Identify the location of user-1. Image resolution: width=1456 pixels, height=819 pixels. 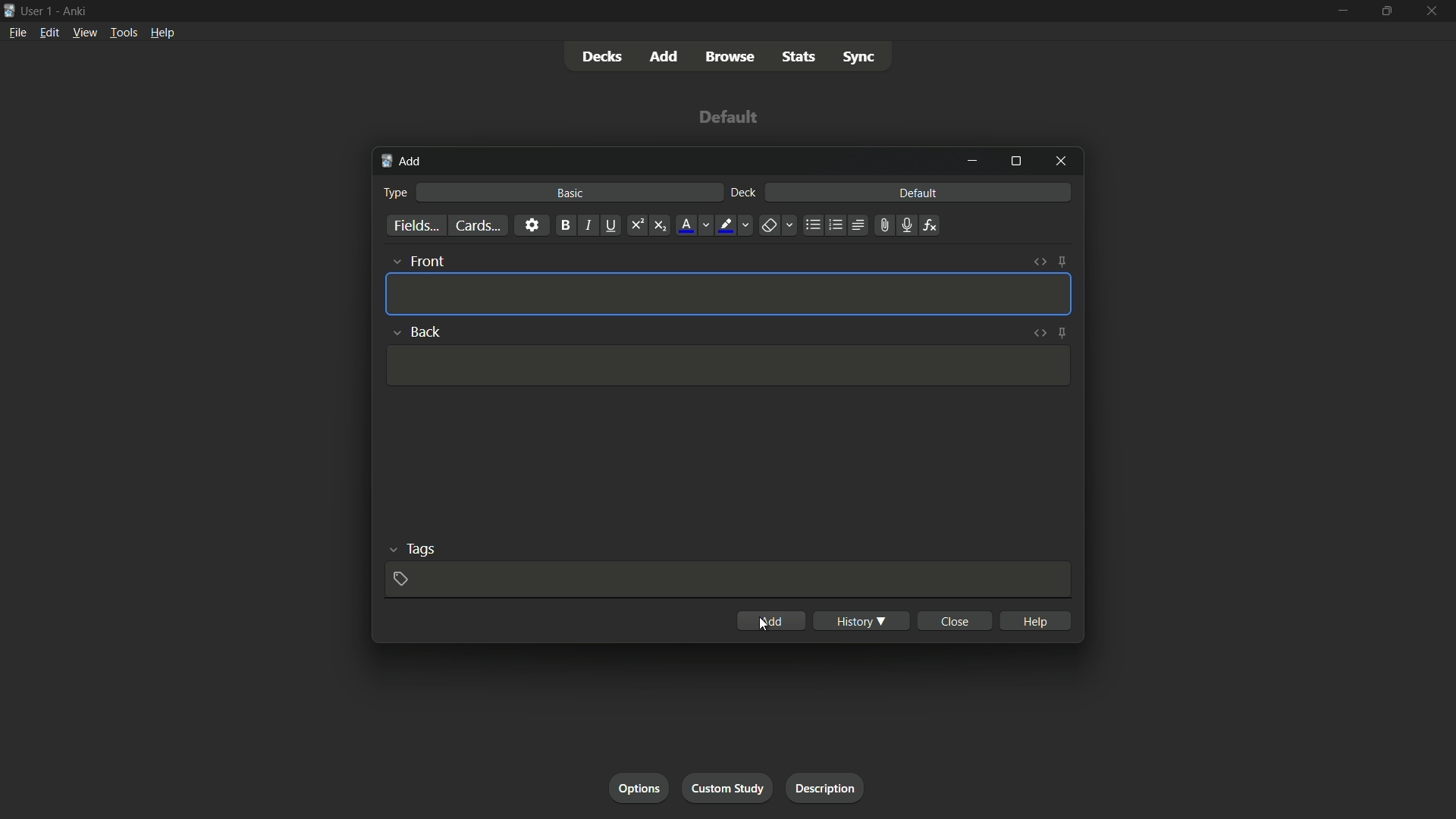
(37, 9).